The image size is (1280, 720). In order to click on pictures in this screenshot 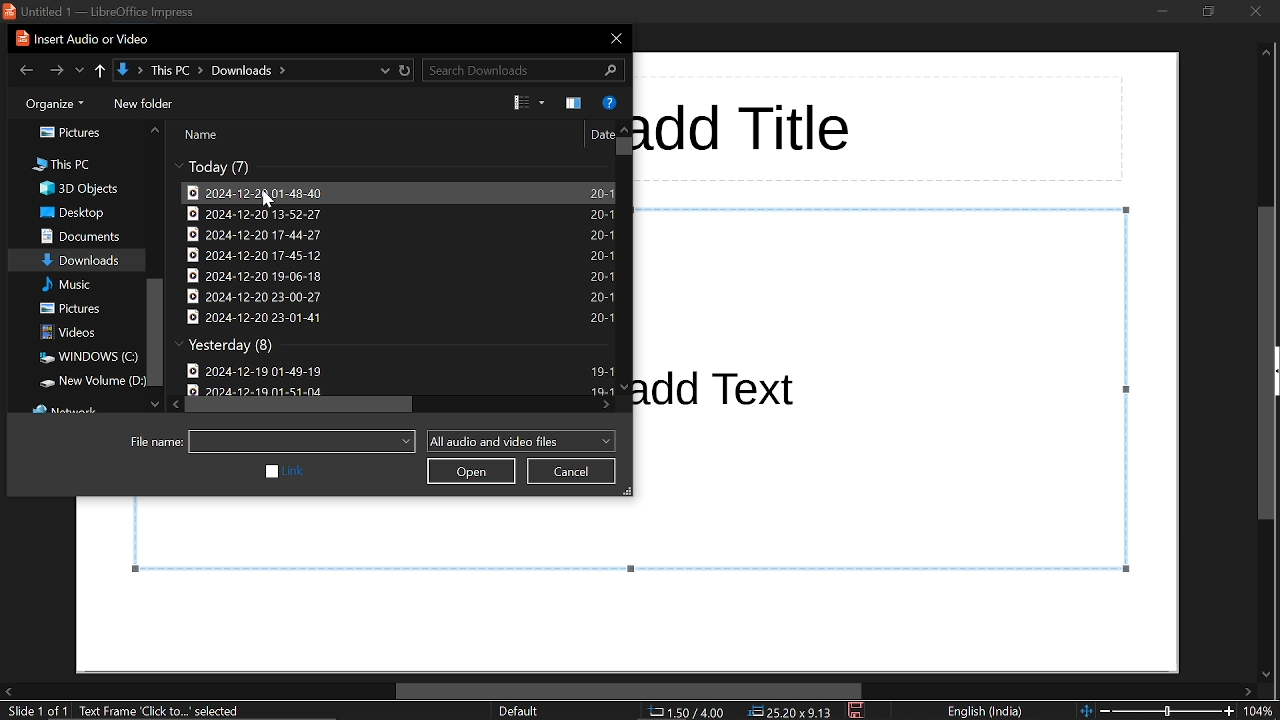, I will do `click(83, 309)`.